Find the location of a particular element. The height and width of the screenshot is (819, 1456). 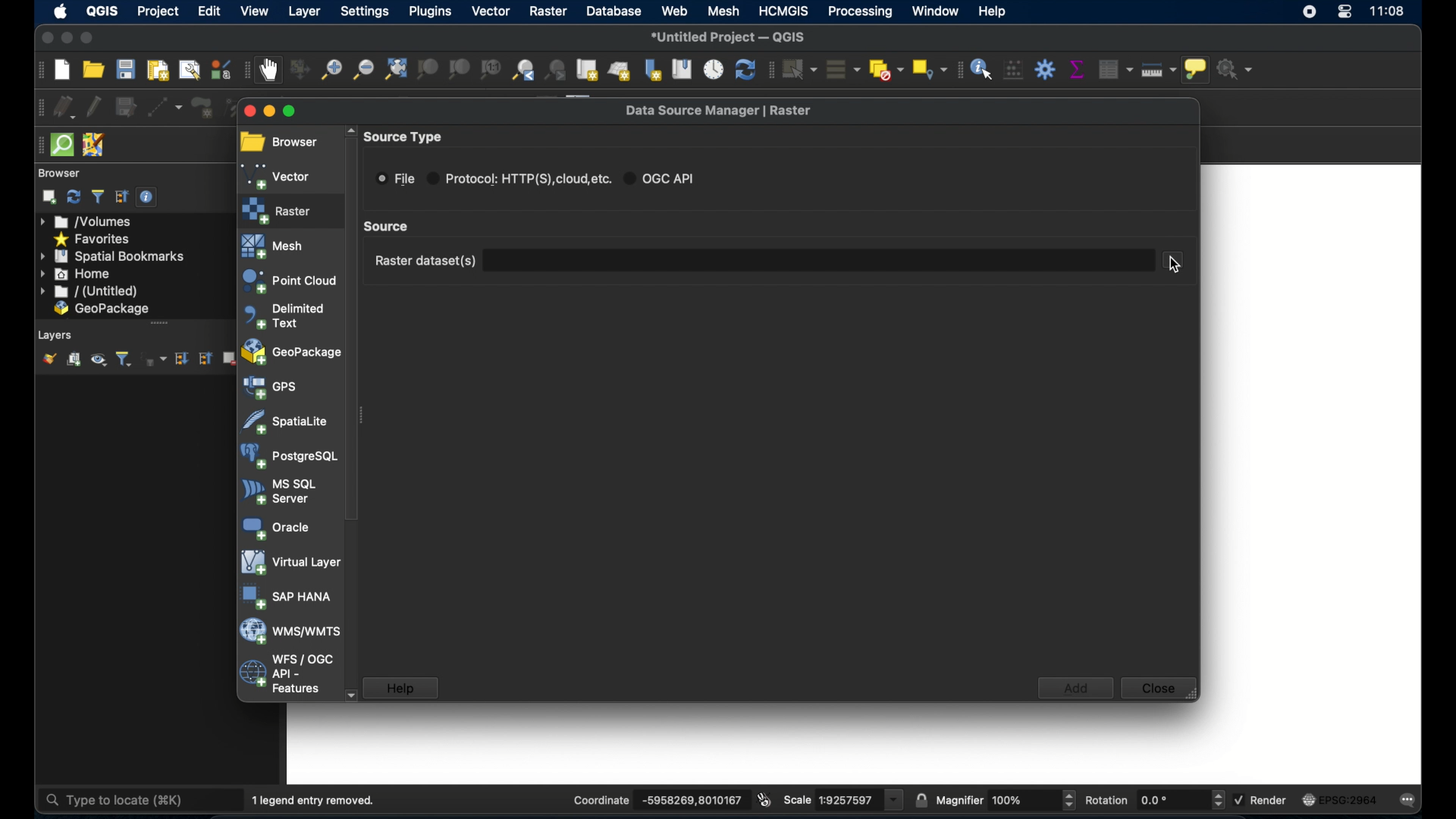

help is located at coordinates (994, 12).